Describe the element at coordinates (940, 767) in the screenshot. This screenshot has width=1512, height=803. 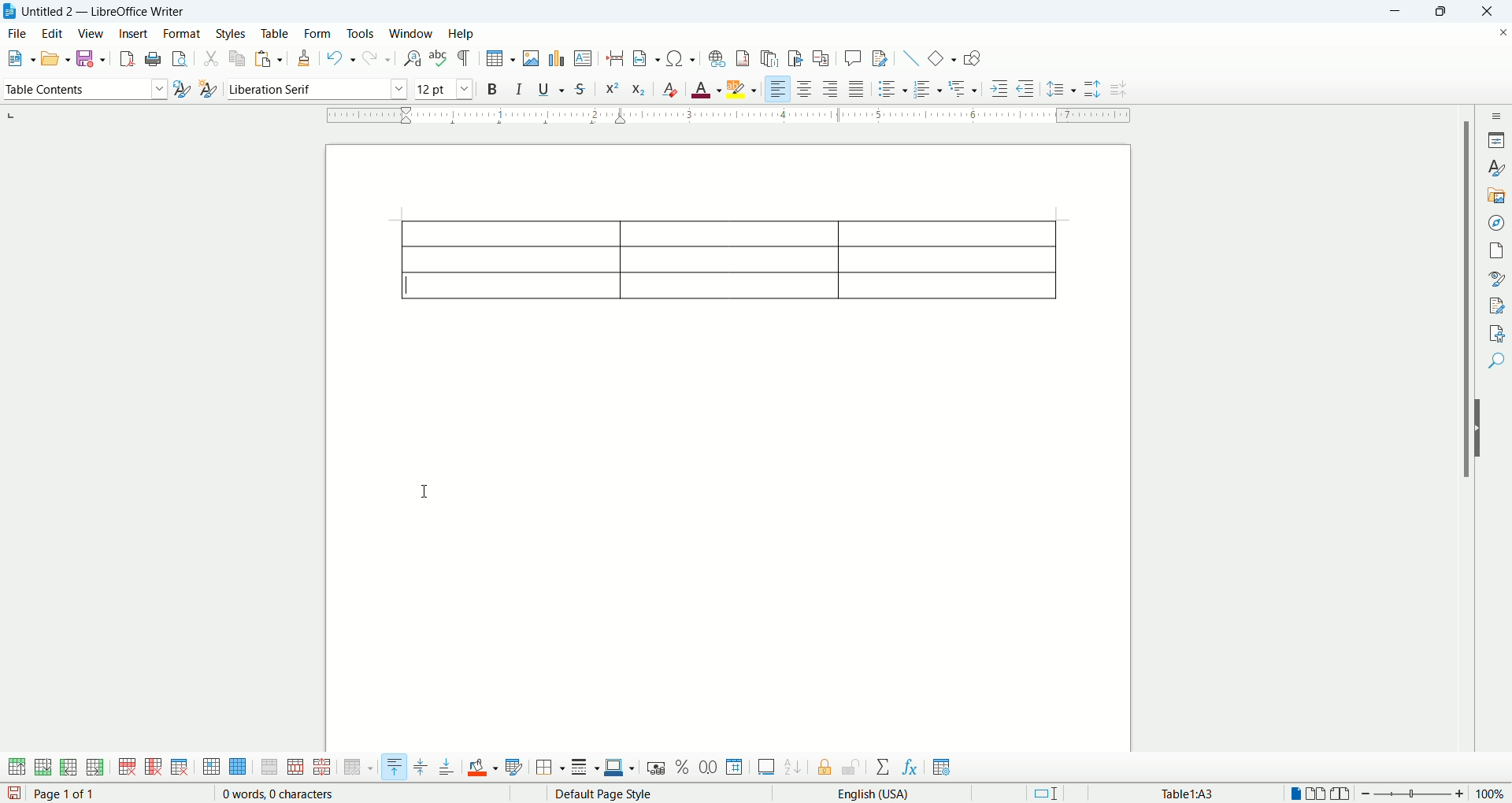
I see `table properties` at that location.